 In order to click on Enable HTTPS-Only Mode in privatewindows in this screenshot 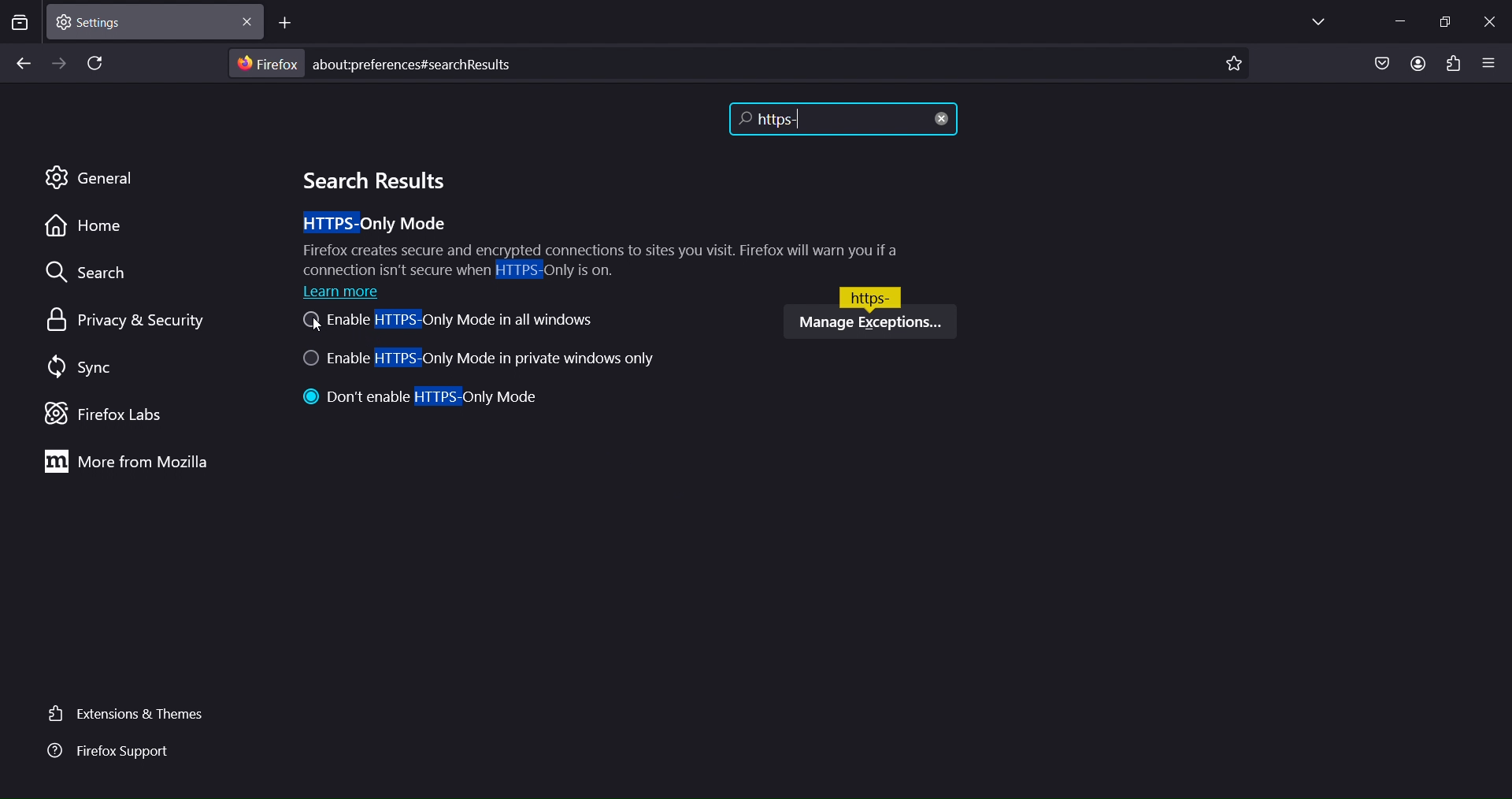, I will do `click(487, 360)`.